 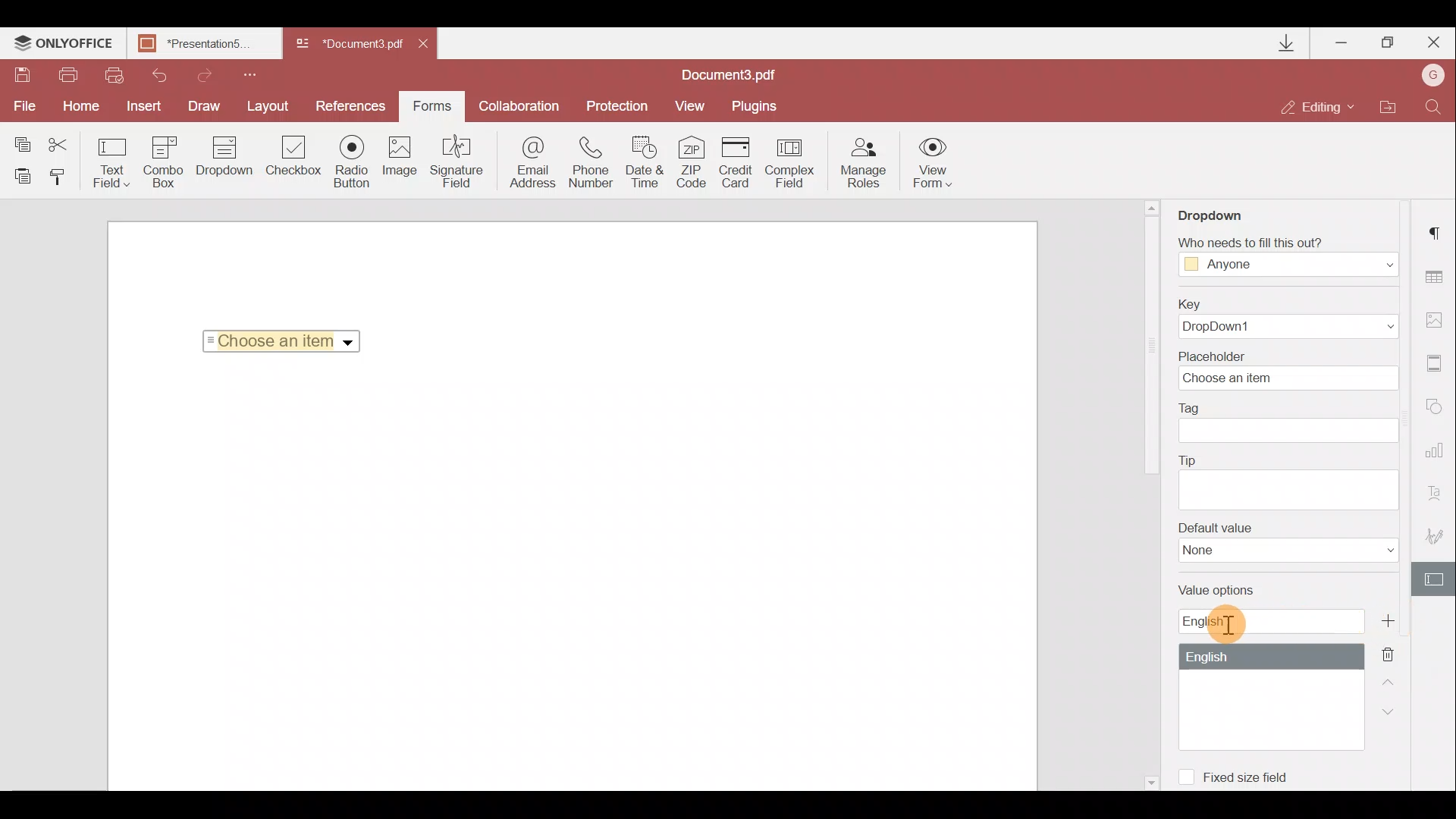 What do you see at coordinates (112, 162) in the screenshot?
I see `Text field` at bounding box center [112, 162].